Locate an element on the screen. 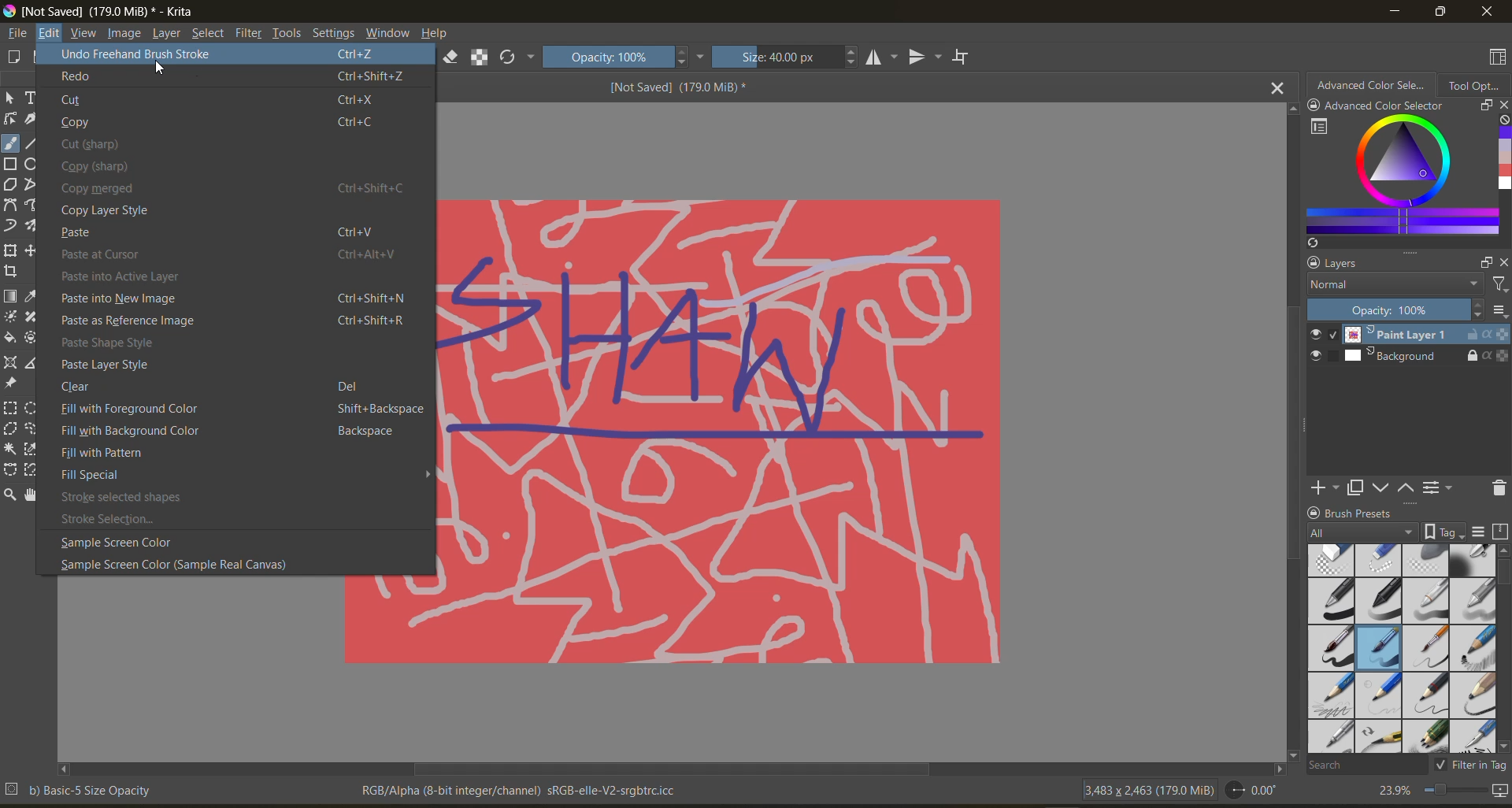 This screenshot has height=808, width=1512. maximize is located at coordinates (1440, 13).